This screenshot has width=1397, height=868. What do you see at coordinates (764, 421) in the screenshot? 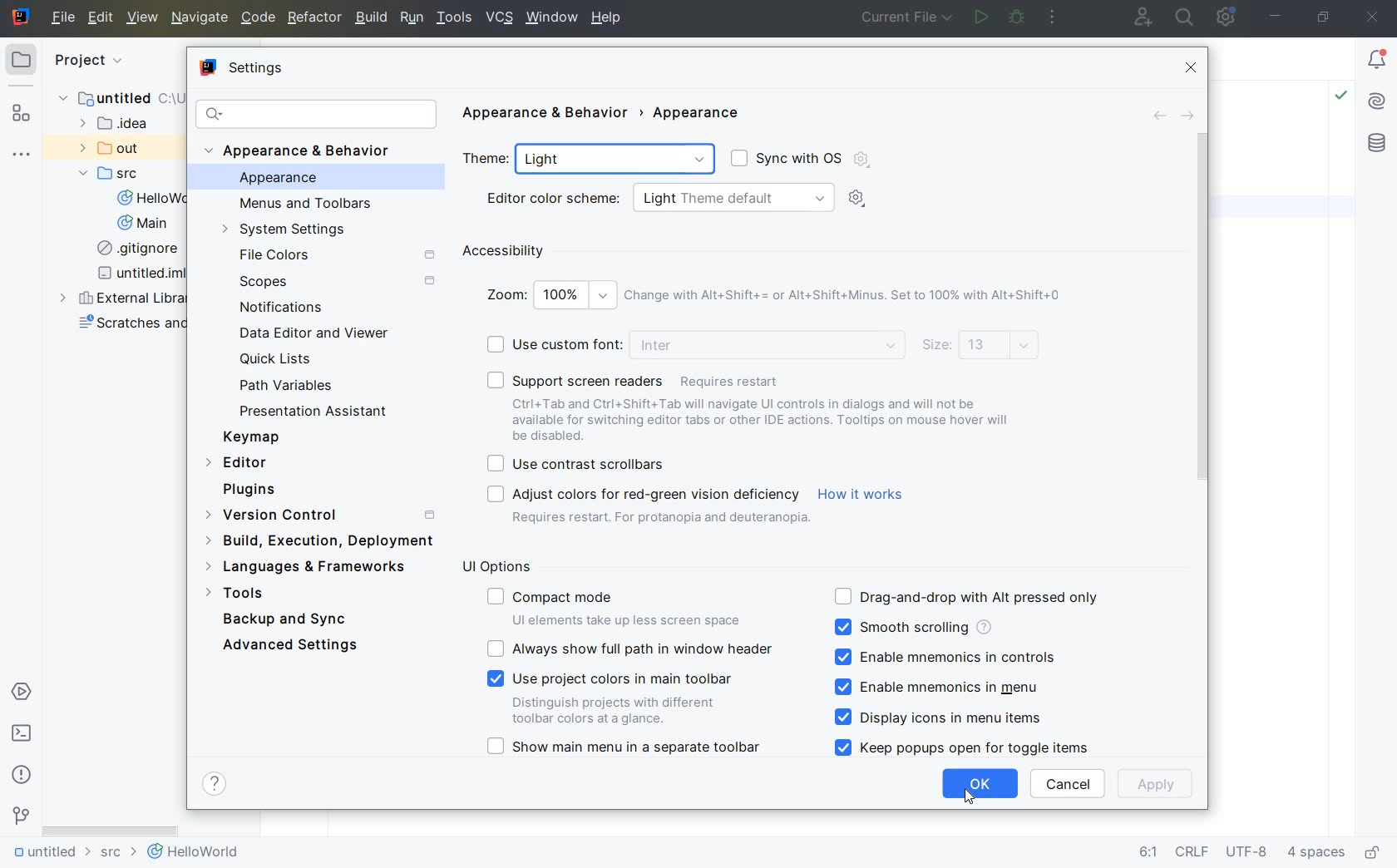
I see `(Information on support system)Ctri+Tab and Ctri+Shift+Tab will navigate Ul controls in dialogs and will not beavailable for switching editor tabs or other IDE actions. Tooltips on mouse hover willhe dicabled.` at bounding box center [764, 421].